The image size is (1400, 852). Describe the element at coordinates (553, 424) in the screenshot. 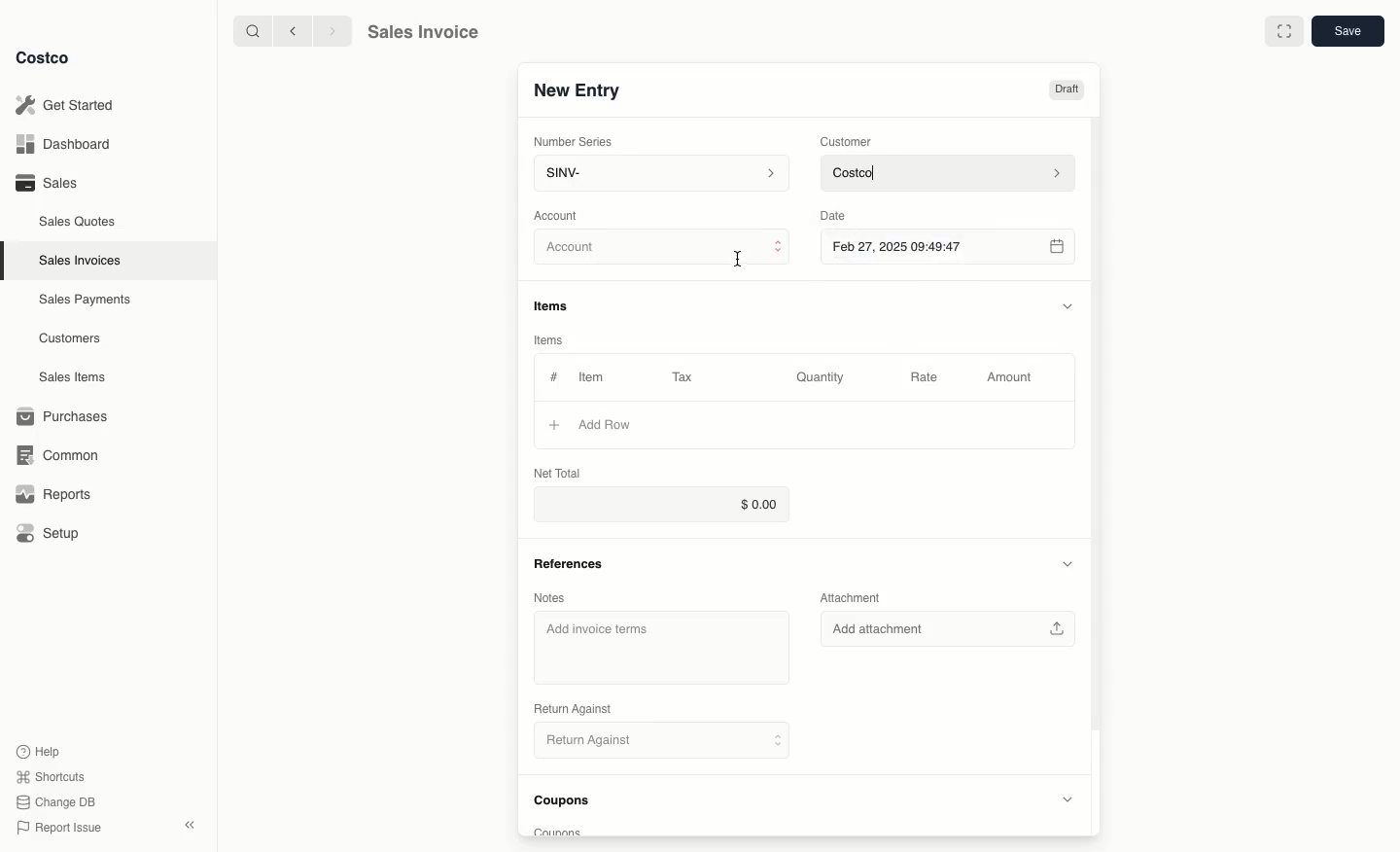

I see `Add` at that location.